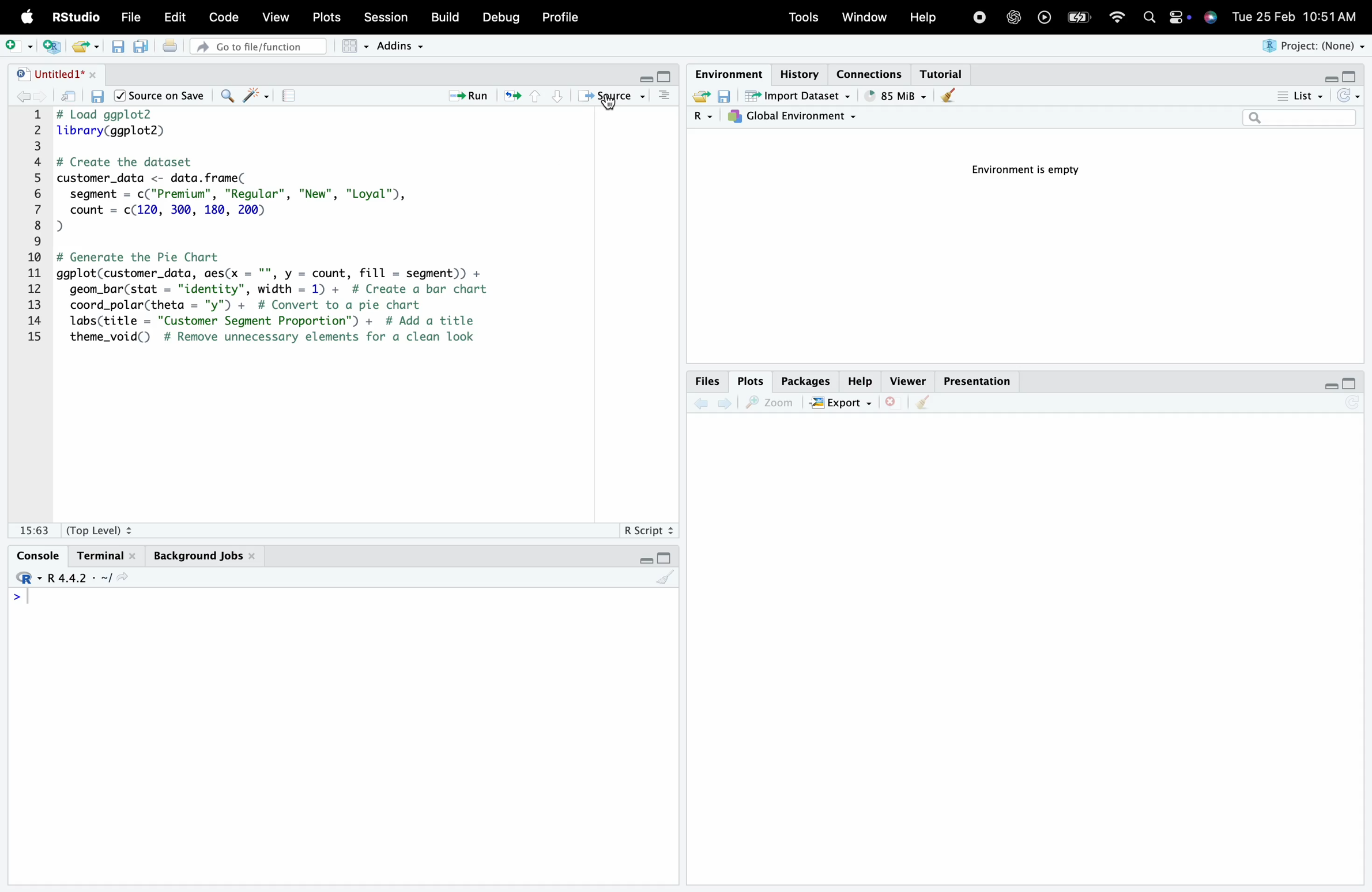 Image resolution: width=1372 pixels, height=892 pixels. I want to click on logo, so click(28, 18).